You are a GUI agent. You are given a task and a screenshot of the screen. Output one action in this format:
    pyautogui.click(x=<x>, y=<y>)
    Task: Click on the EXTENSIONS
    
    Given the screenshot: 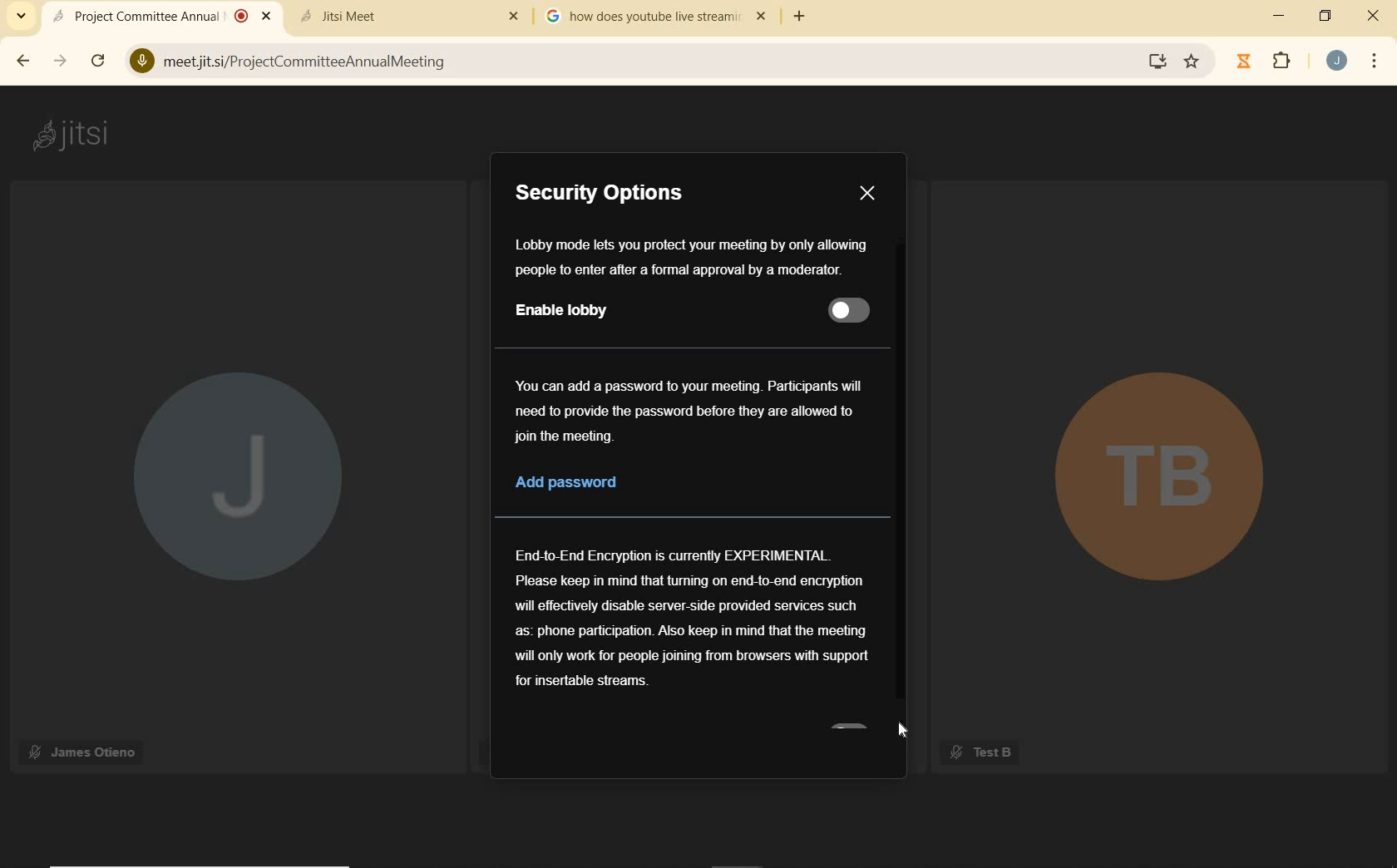 What is the action you would take?
    pyautogui.click(x=1286, y=63)
    